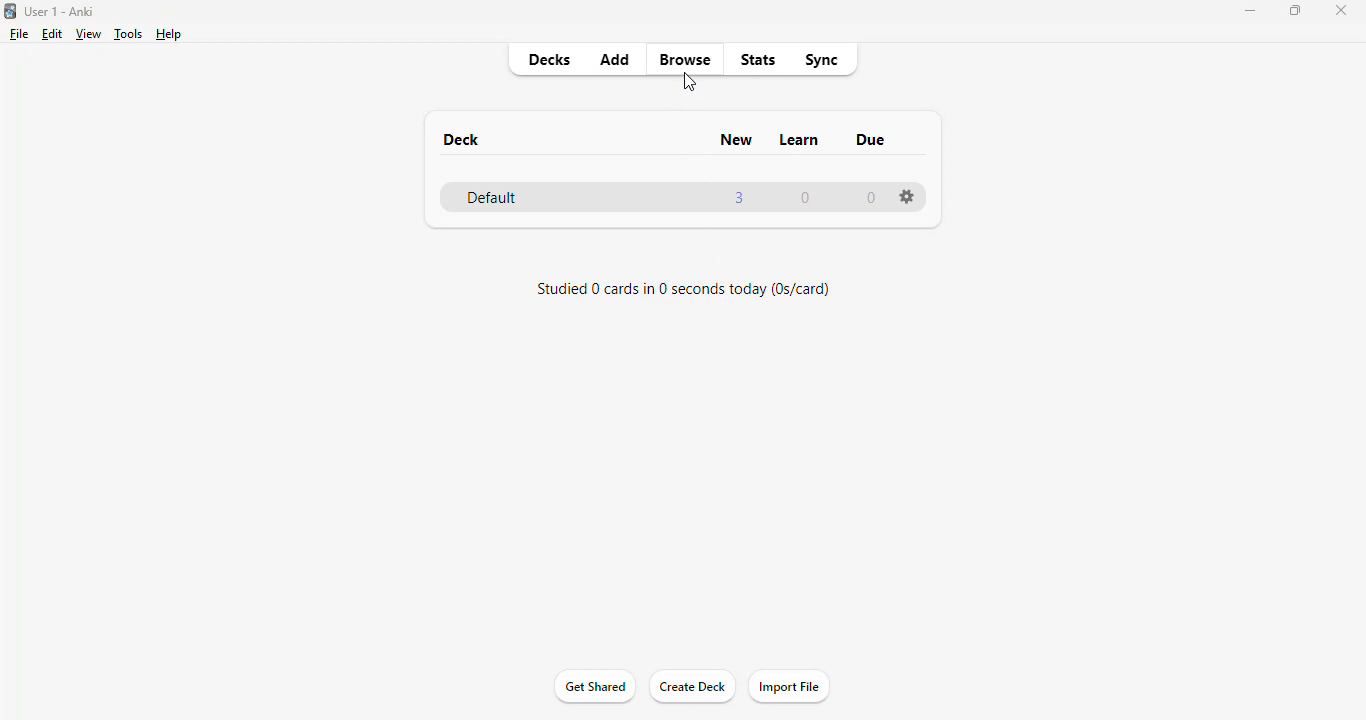 The height and width of the screenshot is (720, 1366). Describe the element at coordinates (1251, 11) in the screenshot. I see `minimize` at that location.